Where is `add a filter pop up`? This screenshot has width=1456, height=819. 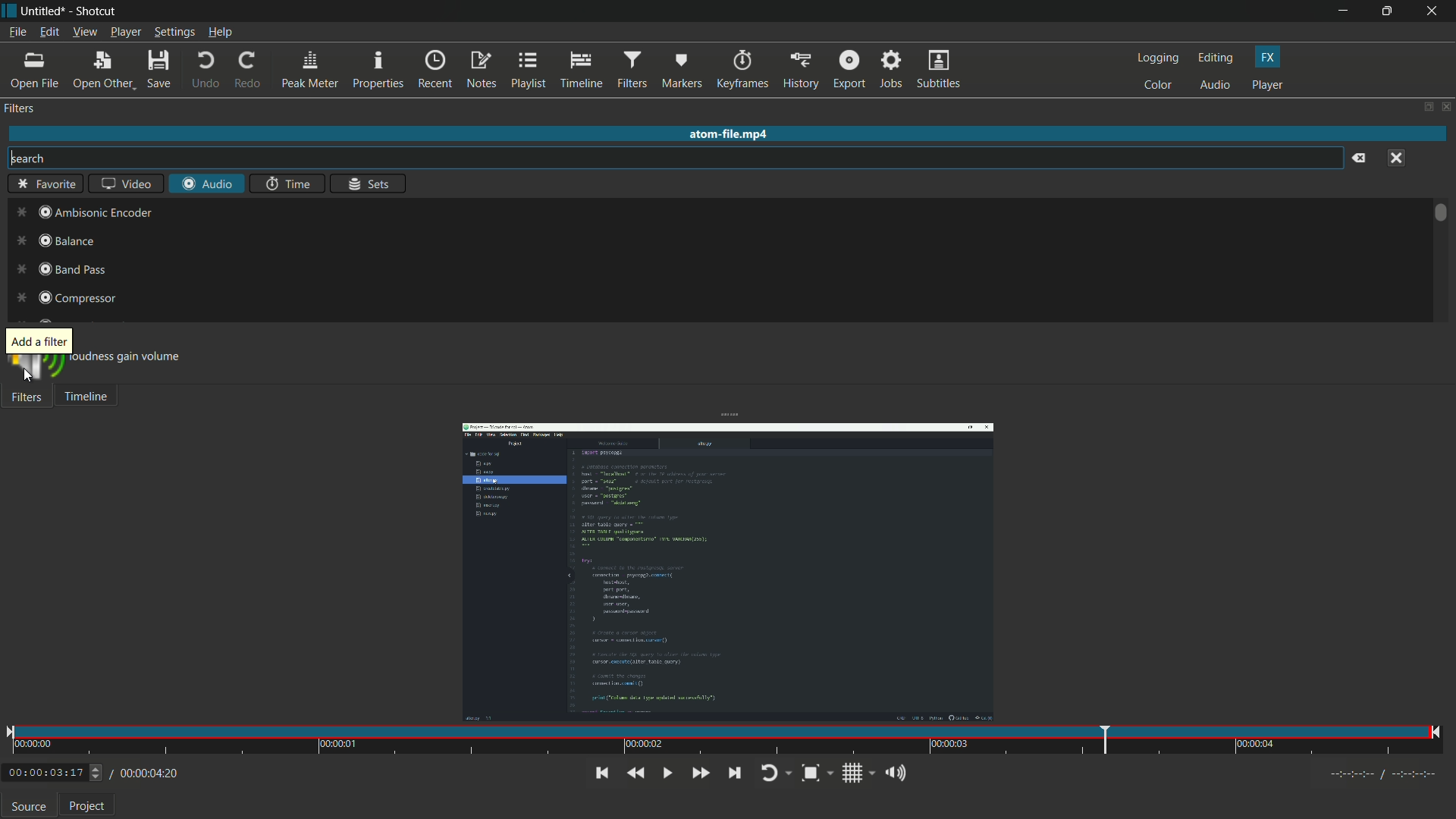 add a filter pop up is located at coordinates (40, 340).